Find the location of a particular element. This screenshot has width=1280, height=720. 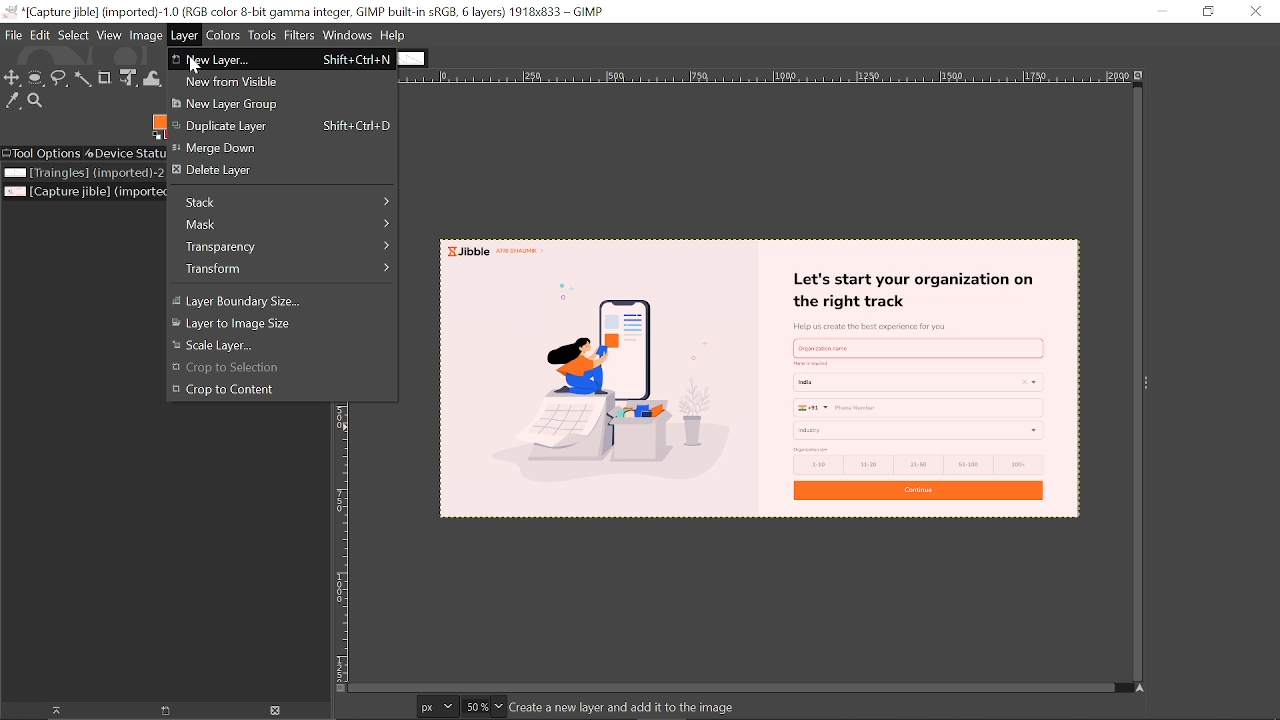

Navigate this display is located at coordinates (1142, 689).